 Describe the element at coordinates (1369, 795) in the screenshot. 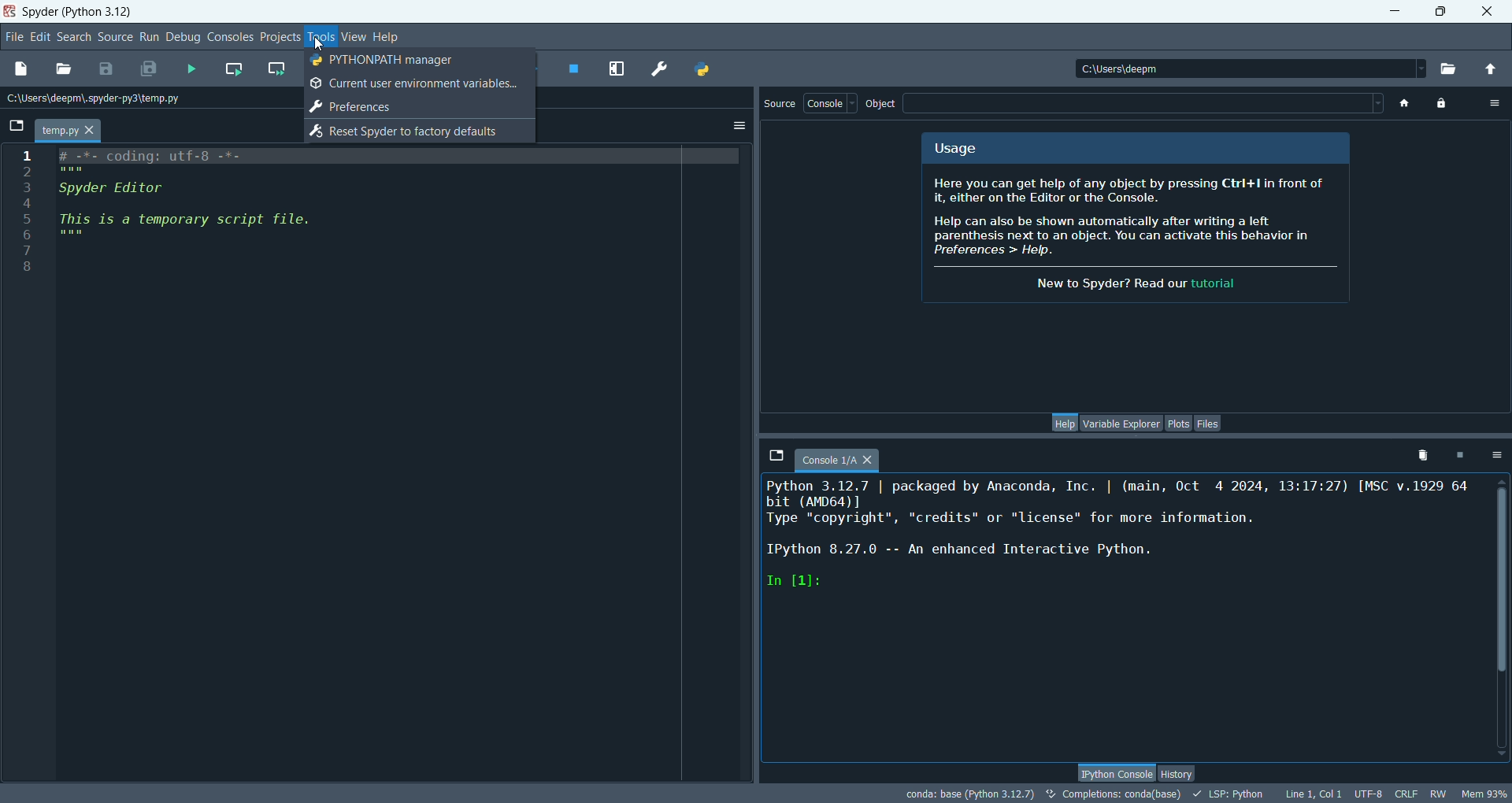

I see `UTF` at that location.